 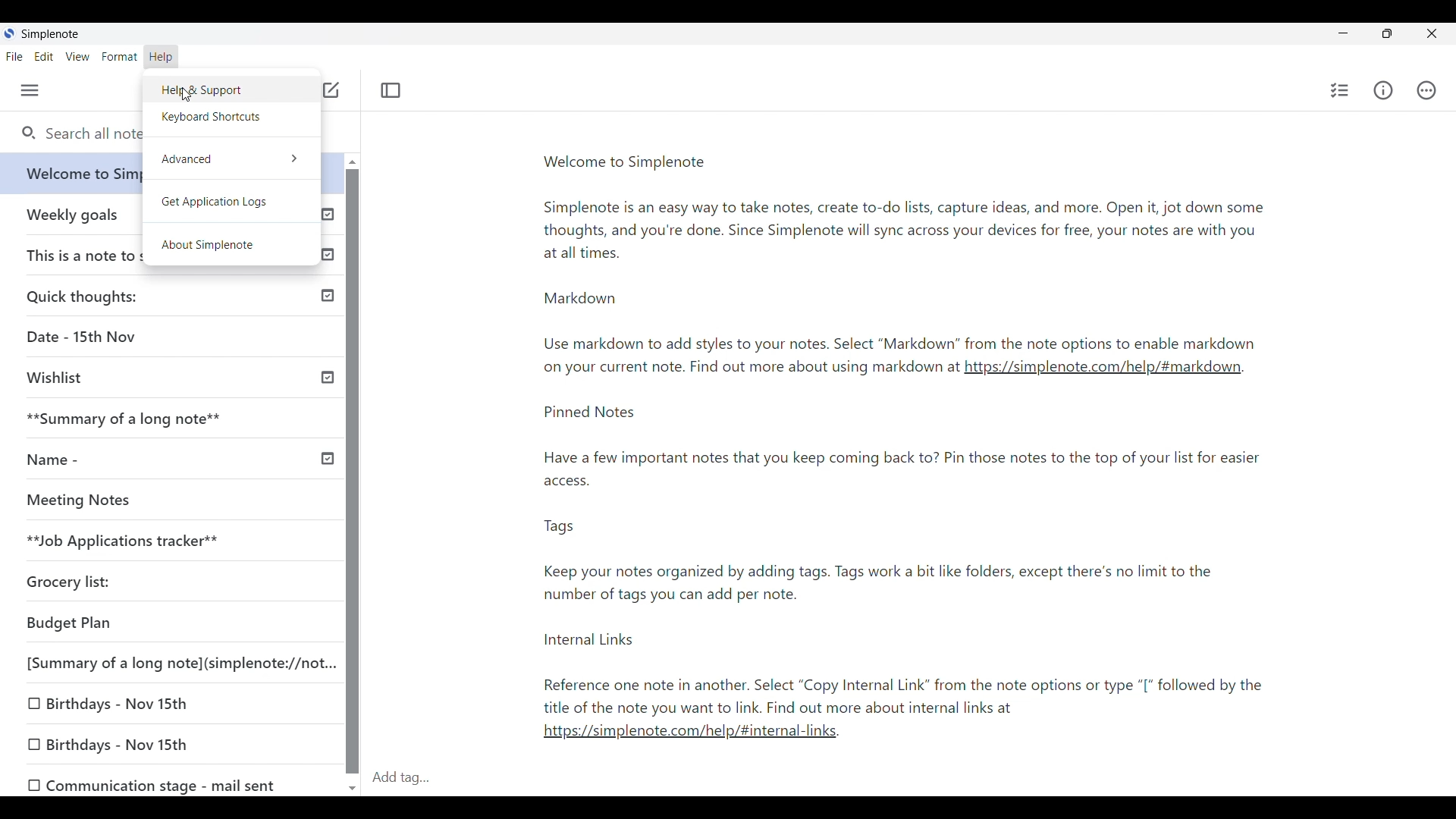 I want to click on Internal Links
Reference one note in another. Select “Copy Internal Link” from the note options or type “[* followed by the
title of the note you want to link. Find out more about internal links at, so click(x=907, y=670).